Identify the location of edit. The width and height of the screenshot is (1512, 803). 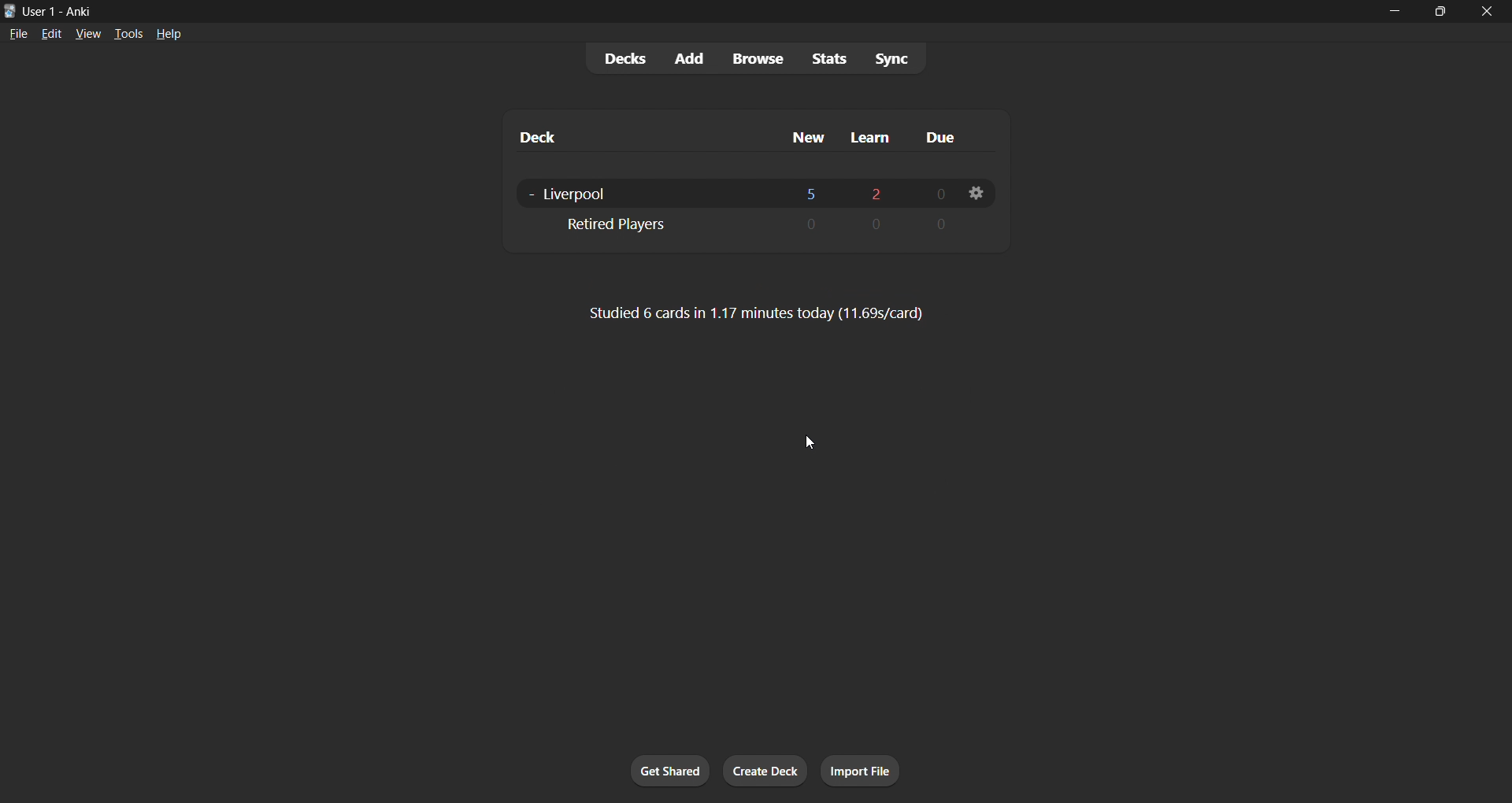
(46, 33).